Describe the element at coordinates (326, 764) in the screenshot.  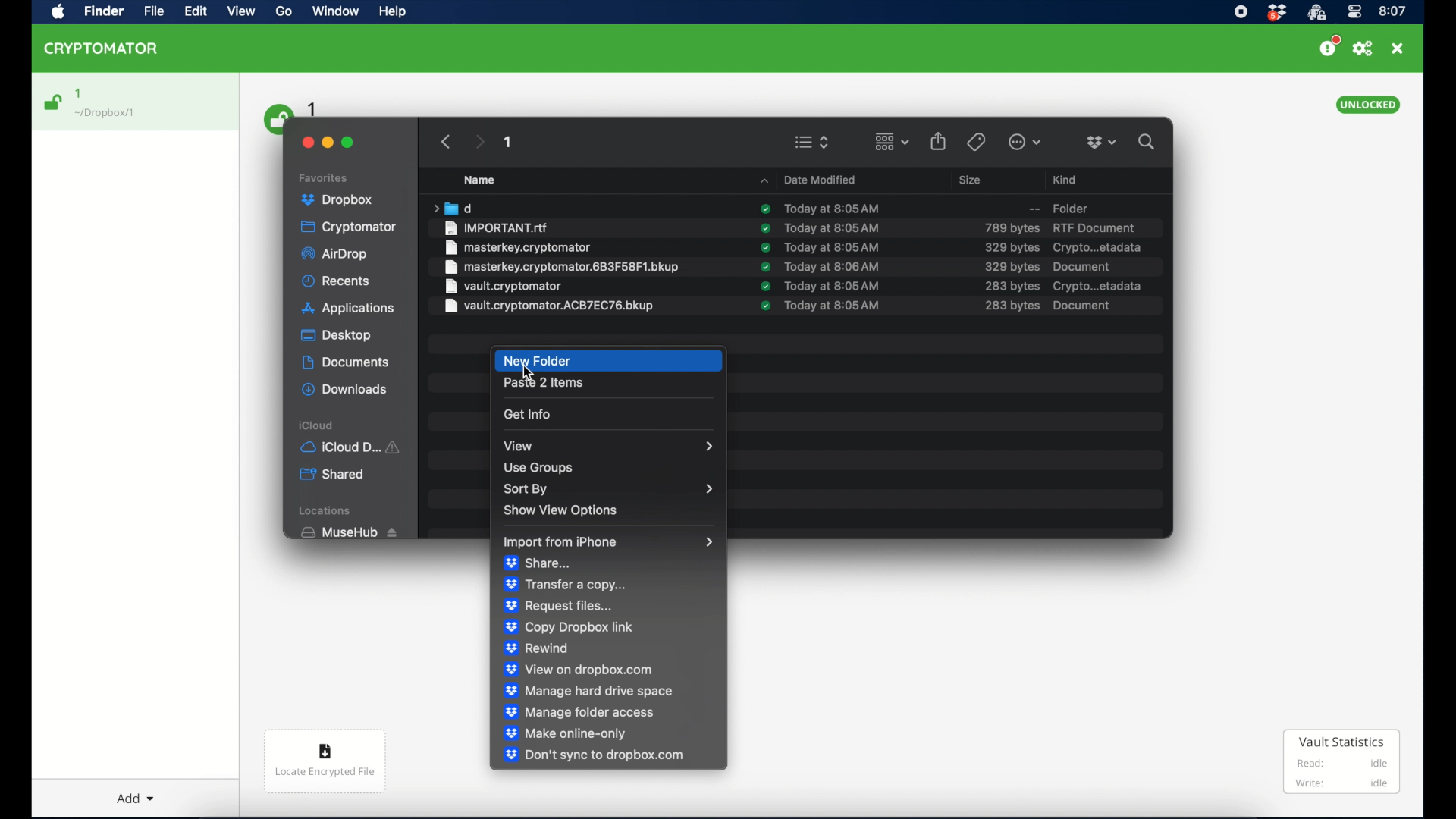
I see `Locate encrypted file` at that location.